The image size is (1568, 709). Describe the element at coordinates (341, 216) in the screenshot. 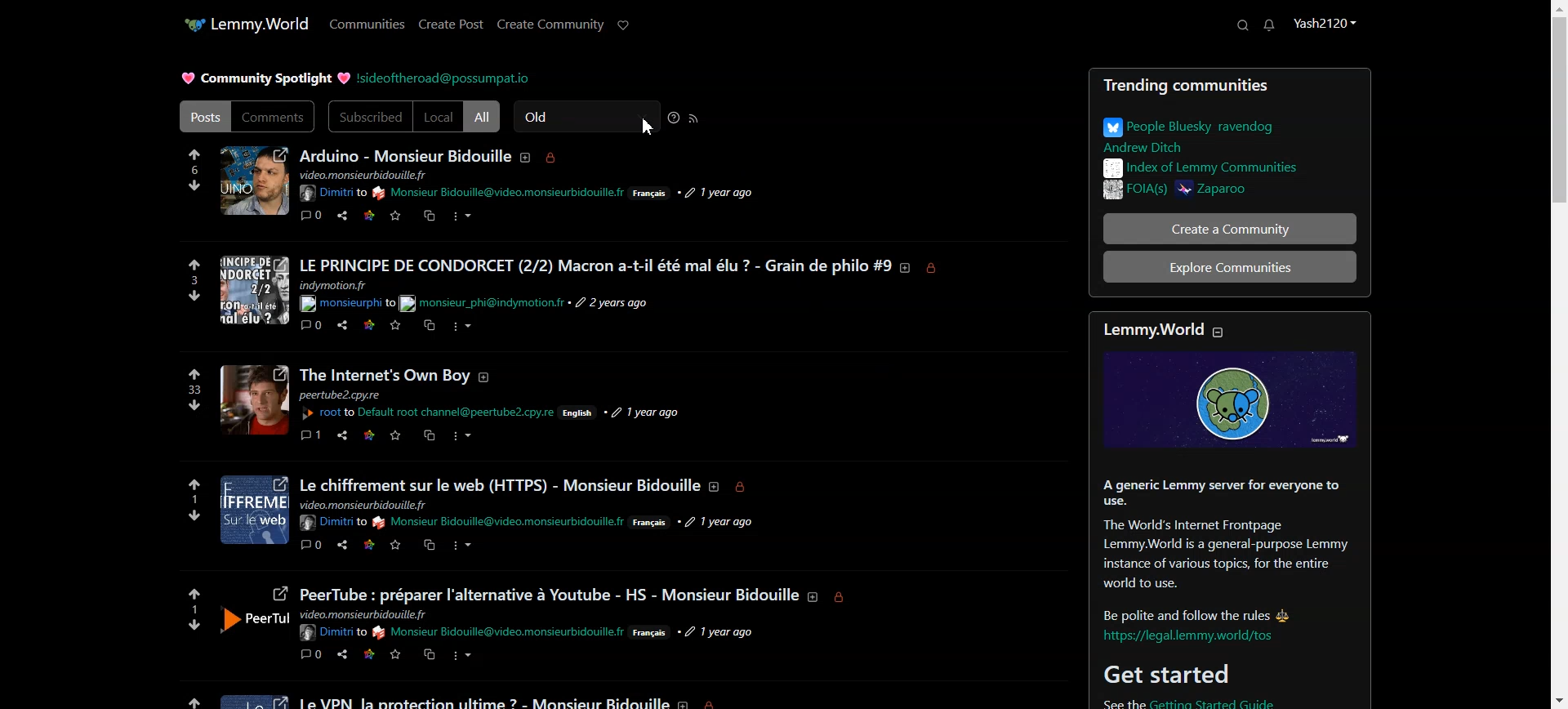

I see `Share` at that location.